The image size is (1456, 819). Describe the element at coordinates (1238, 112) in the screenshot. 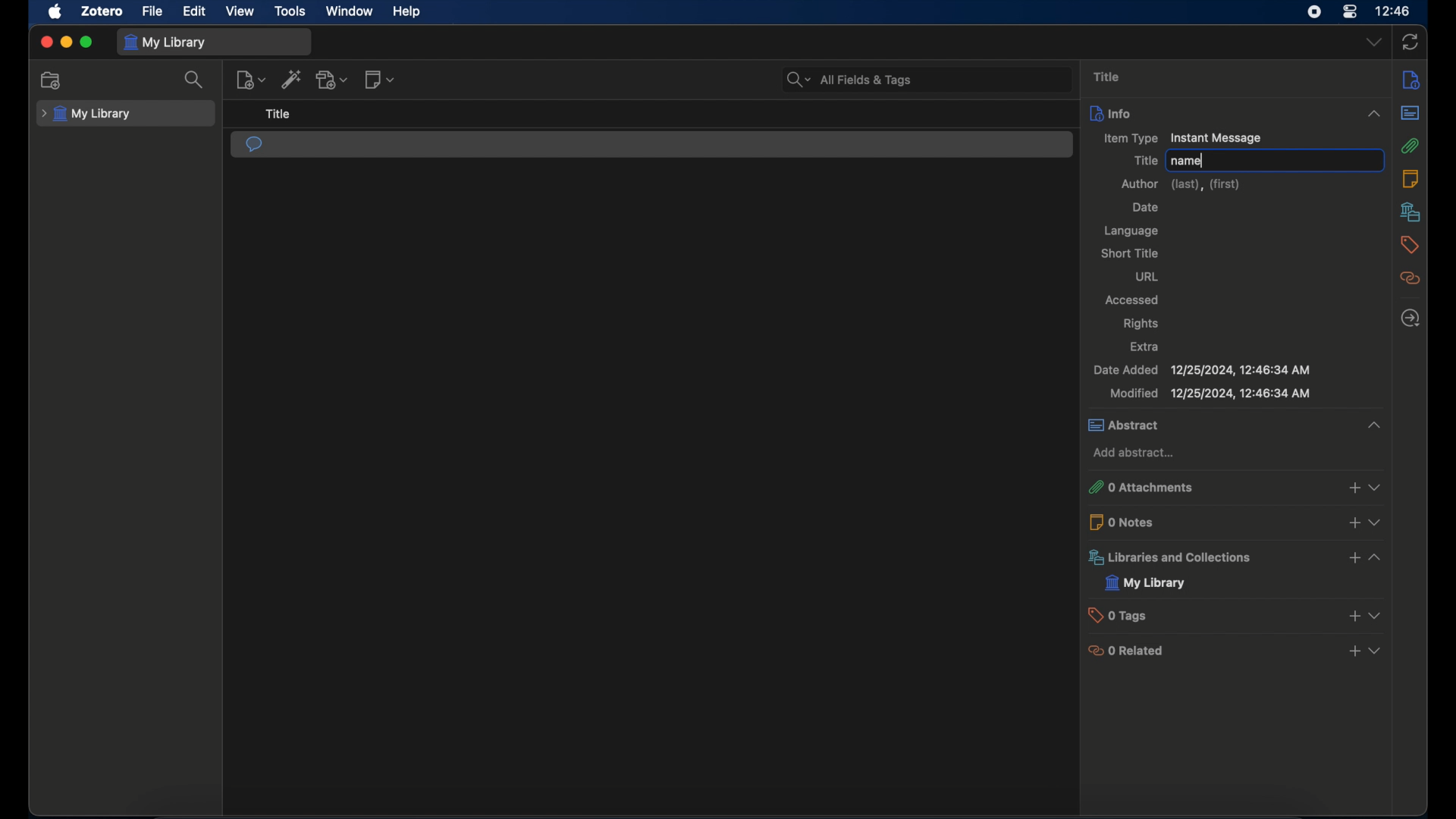

I see `info` at that location.